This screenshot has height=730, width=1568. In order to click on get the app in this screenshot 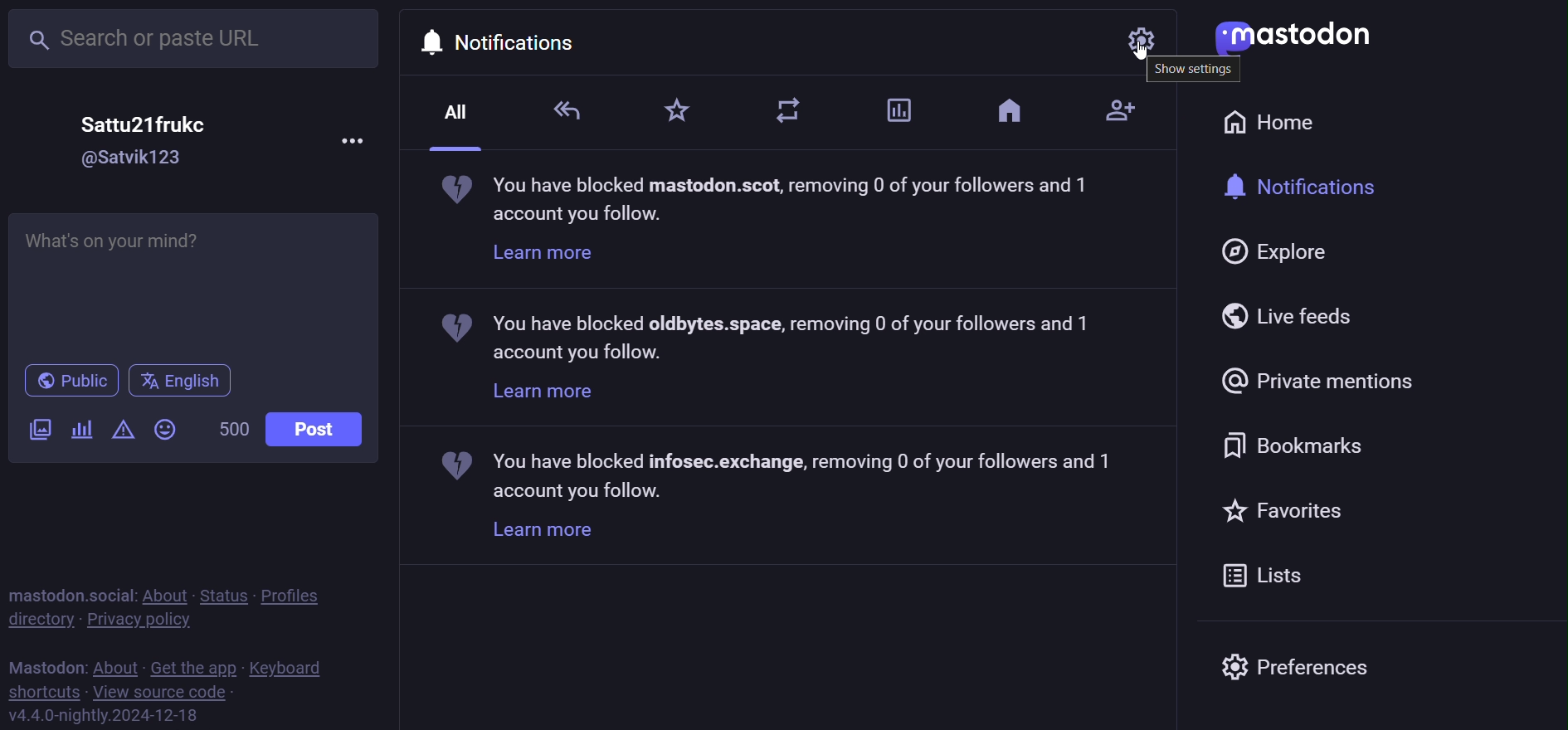, I will do `click(192, 666)`.